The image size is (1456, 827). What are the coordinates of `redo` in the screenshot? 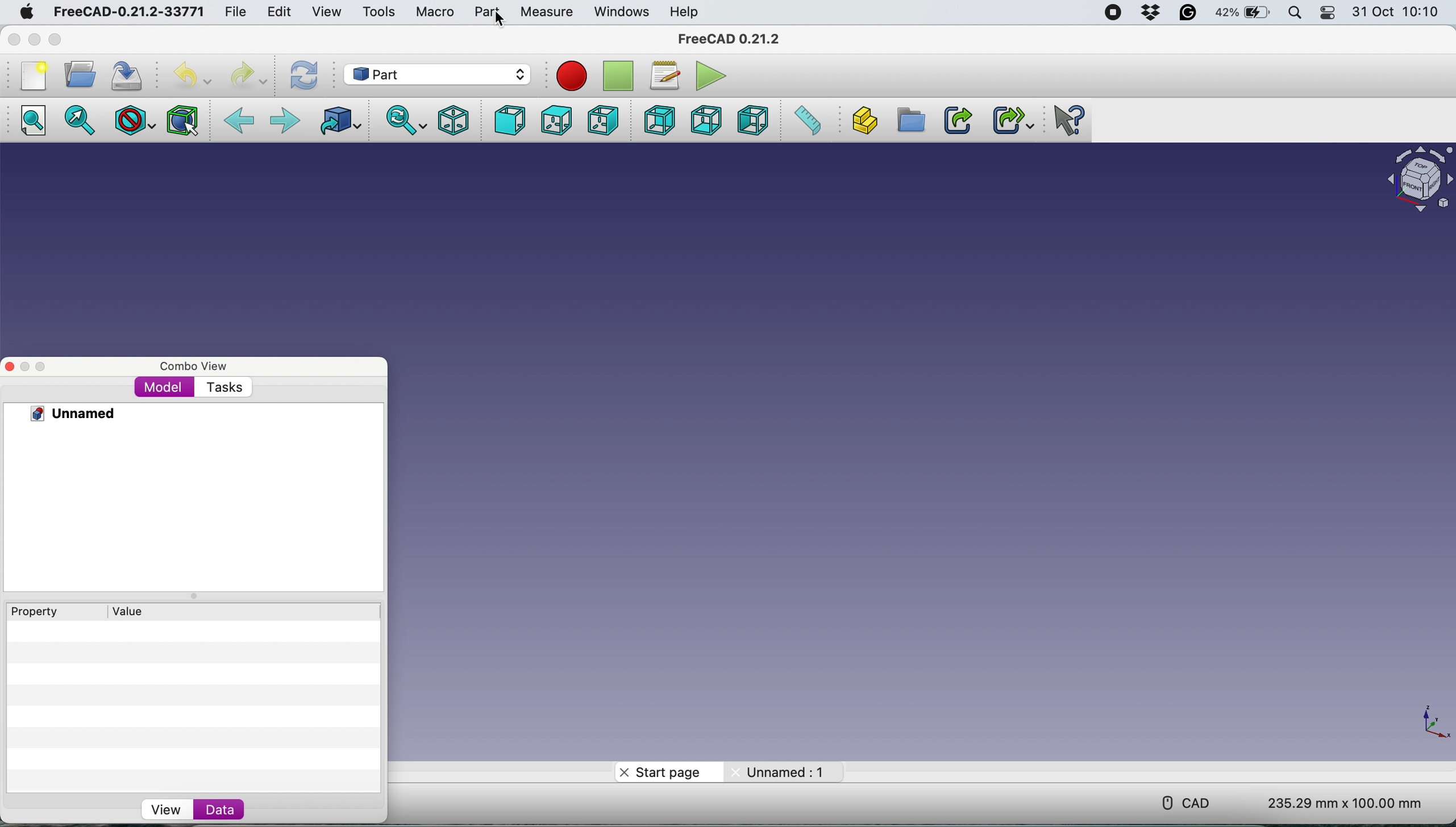 It's located at (246, 74).